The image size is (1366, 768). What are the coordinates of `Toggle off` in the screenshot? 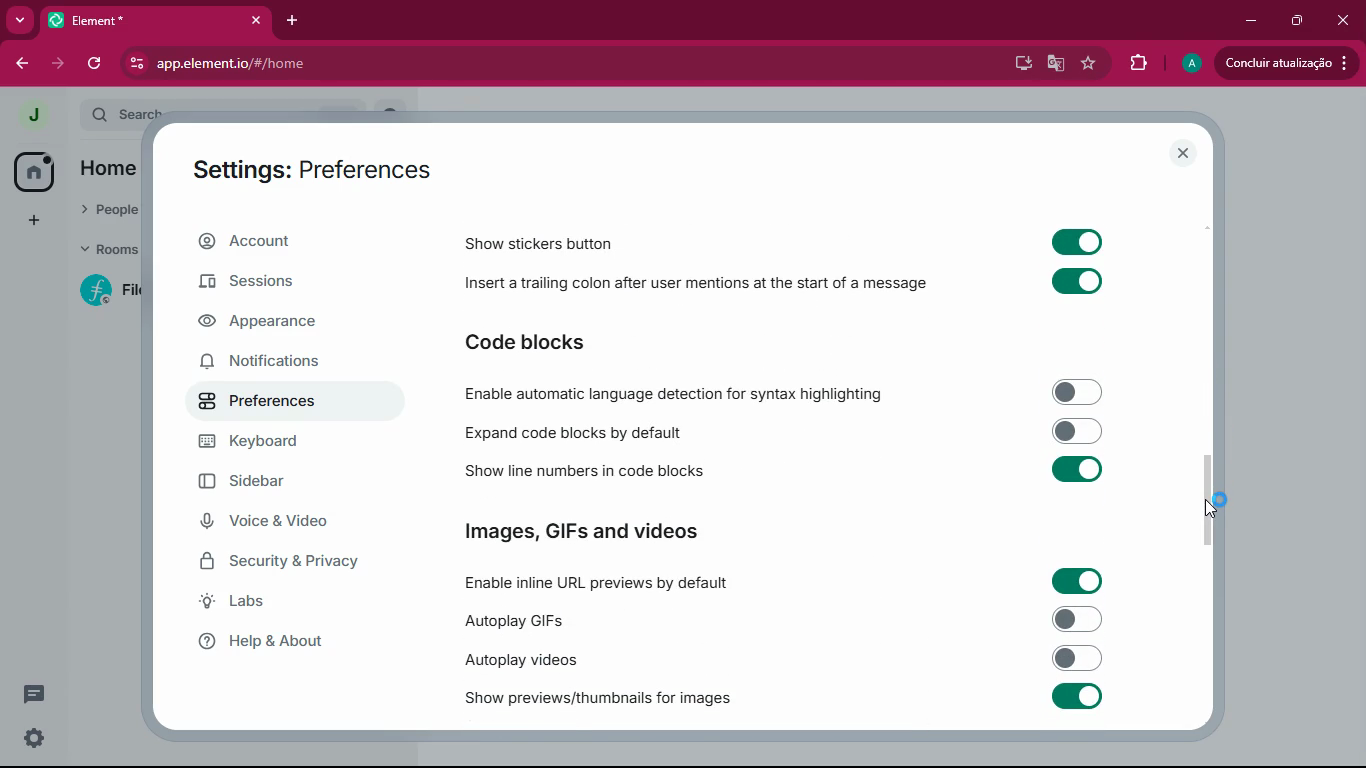 It's located at (1078, 430).